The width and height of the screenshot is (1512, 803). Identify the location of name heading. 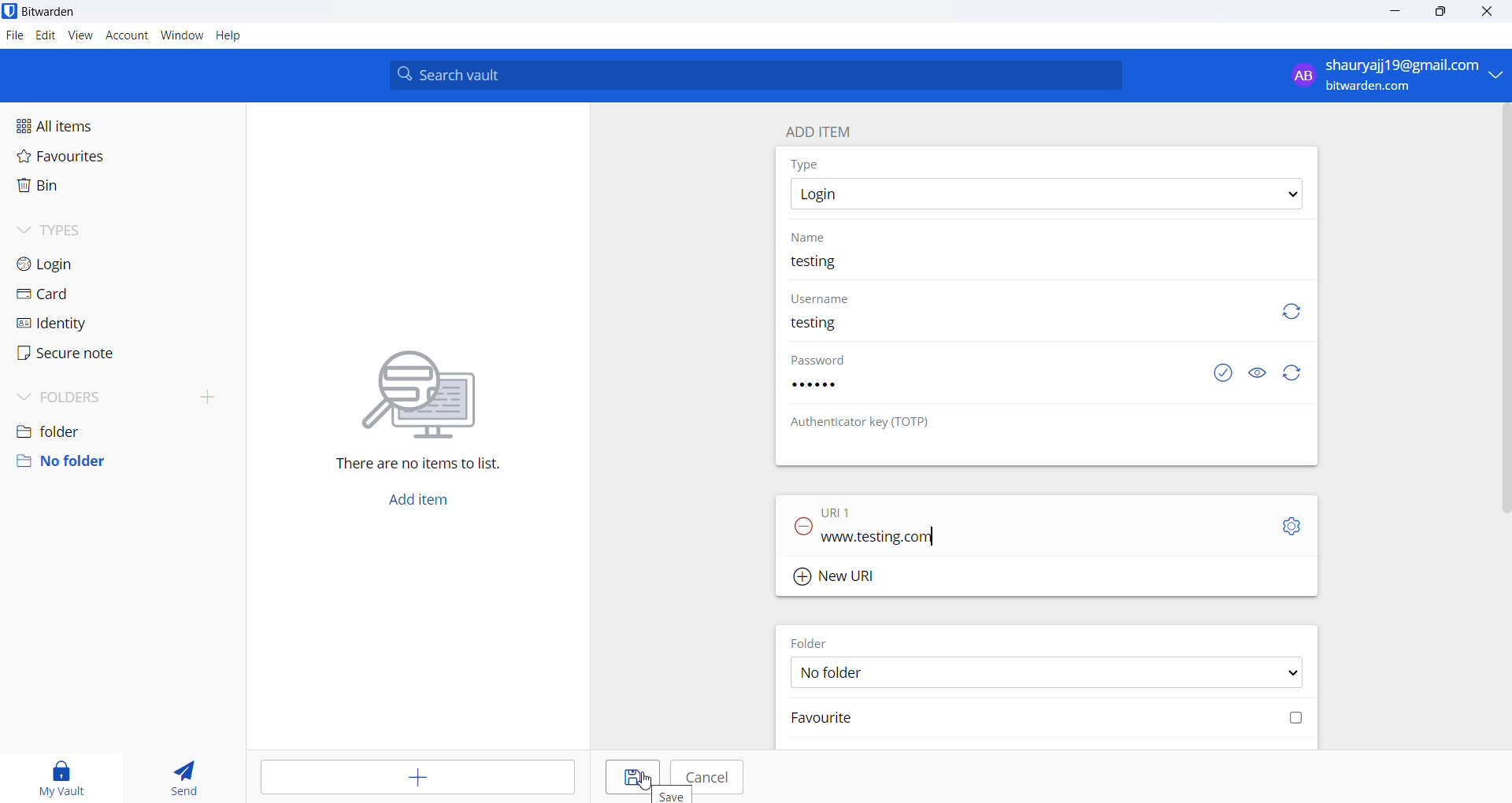
(814, 237).